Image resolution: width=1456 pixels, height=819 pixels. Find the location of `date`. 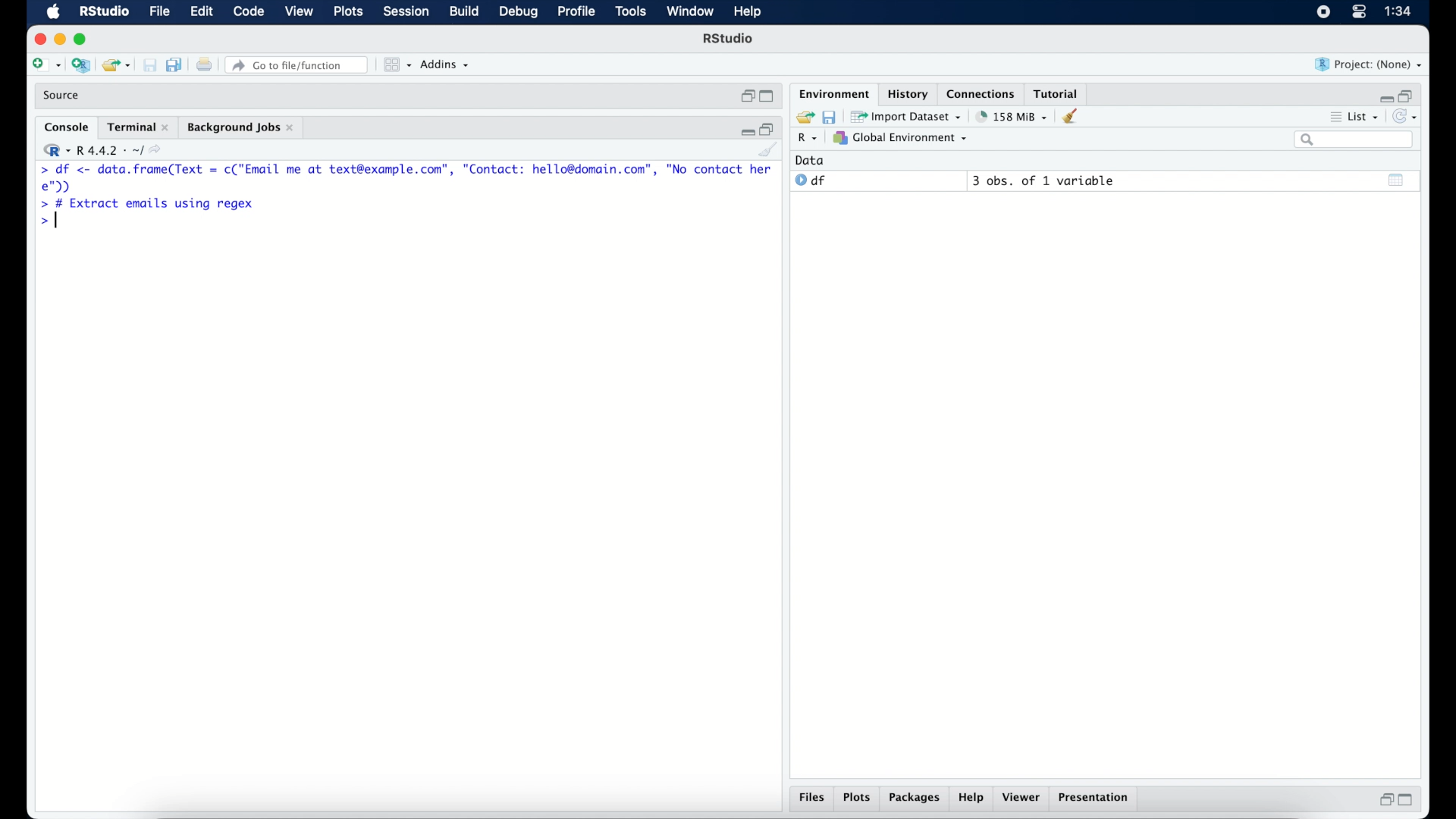

date is located at coordinates (811, 160).